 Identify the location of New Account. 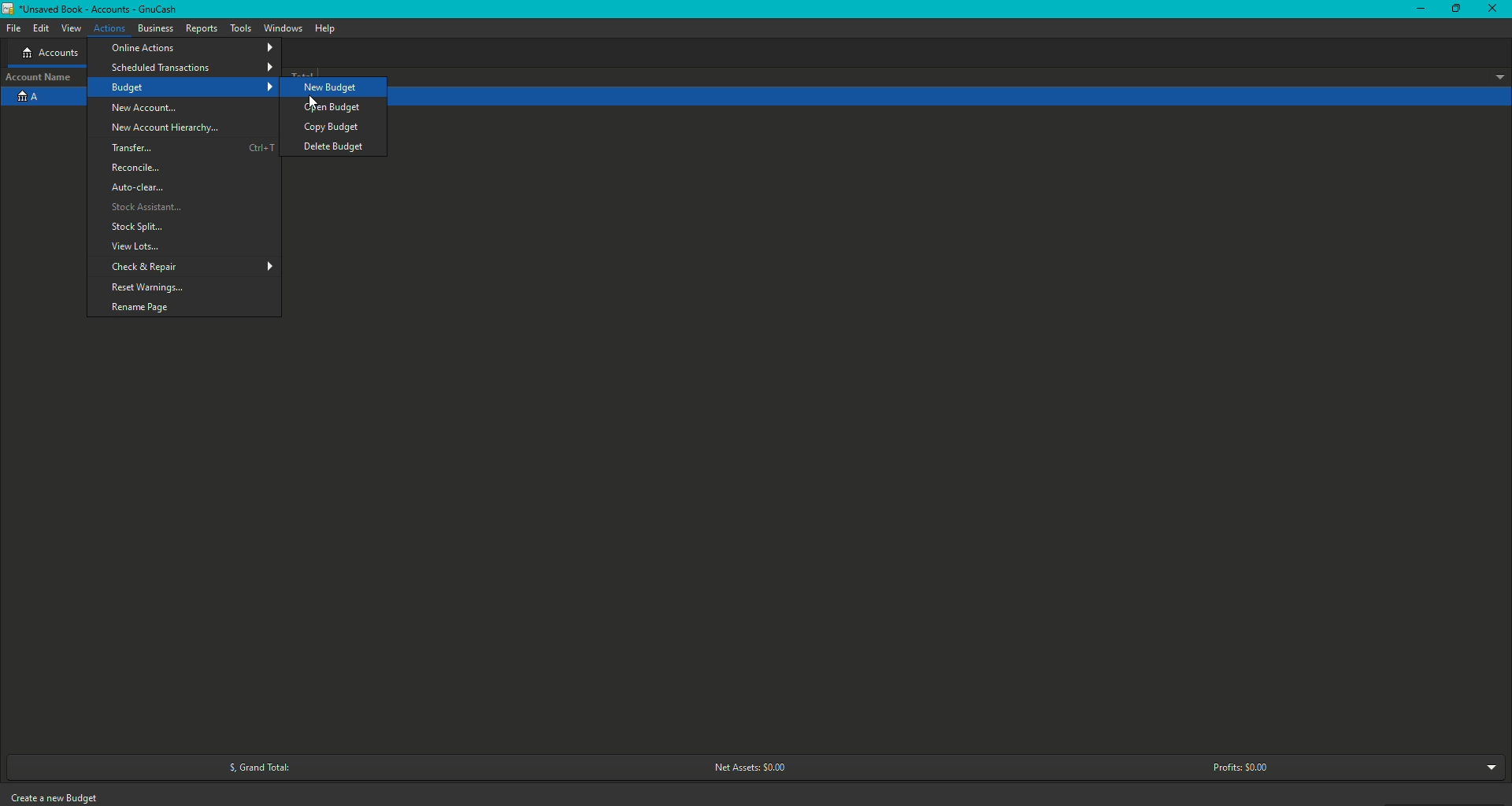
(148, 108).